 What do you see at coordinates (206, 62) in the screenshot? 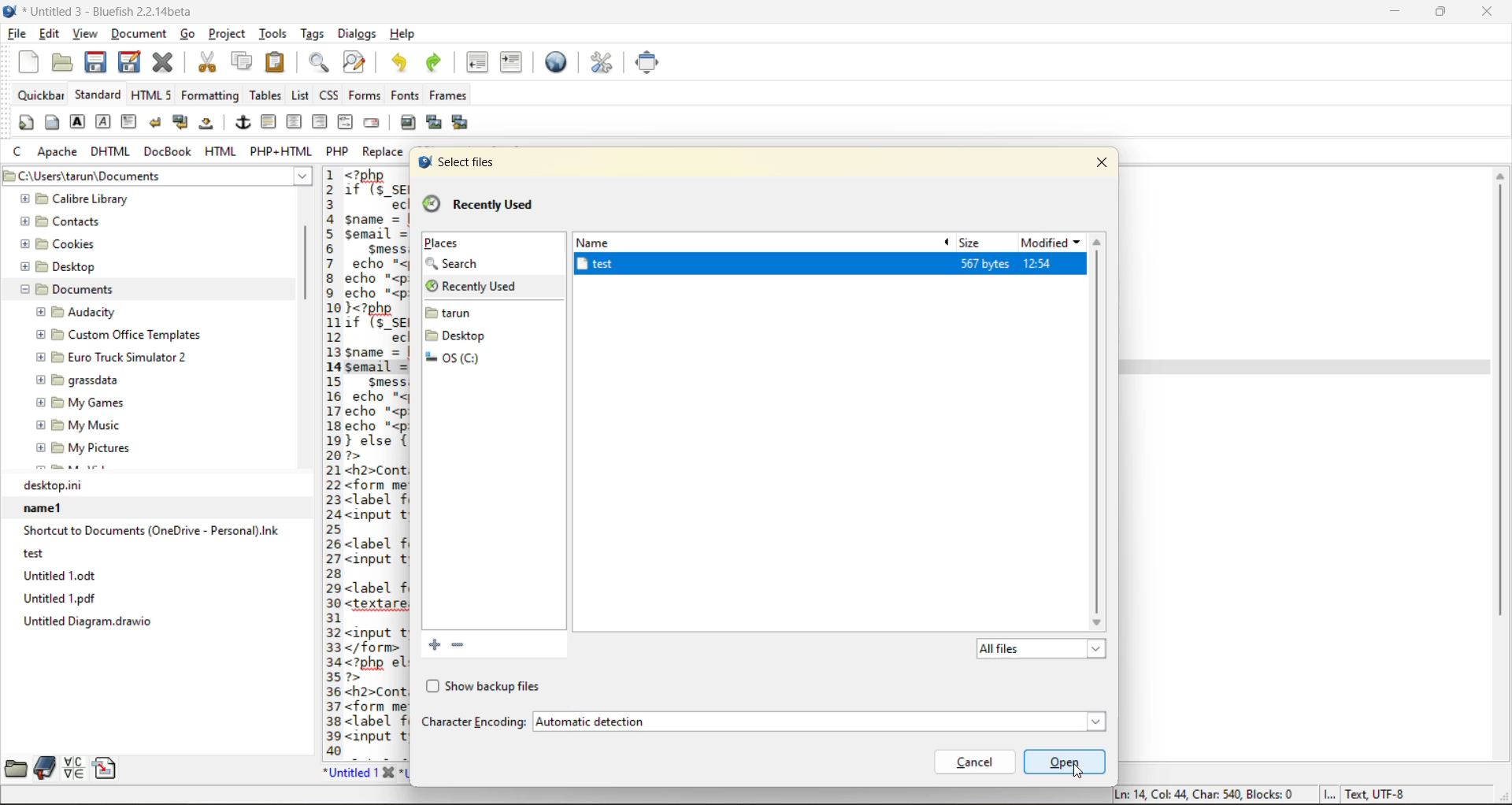
I see `cut` at bounding box center [206, 62].